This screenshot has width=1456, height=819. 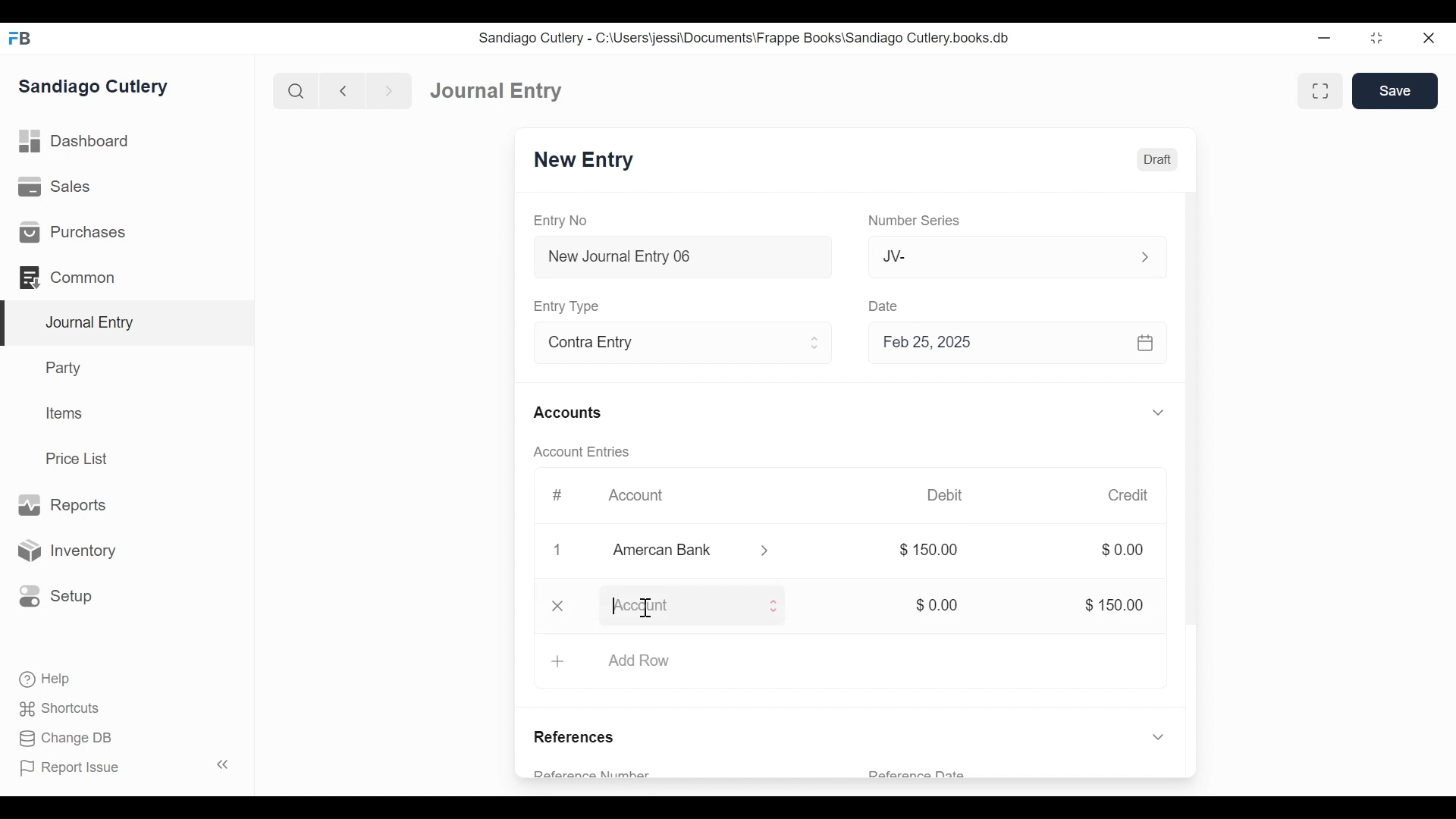 What do you see at coordinates (64, 708) in the screenshot?
I see `Shortcuts` at bounding box center [64, 708].